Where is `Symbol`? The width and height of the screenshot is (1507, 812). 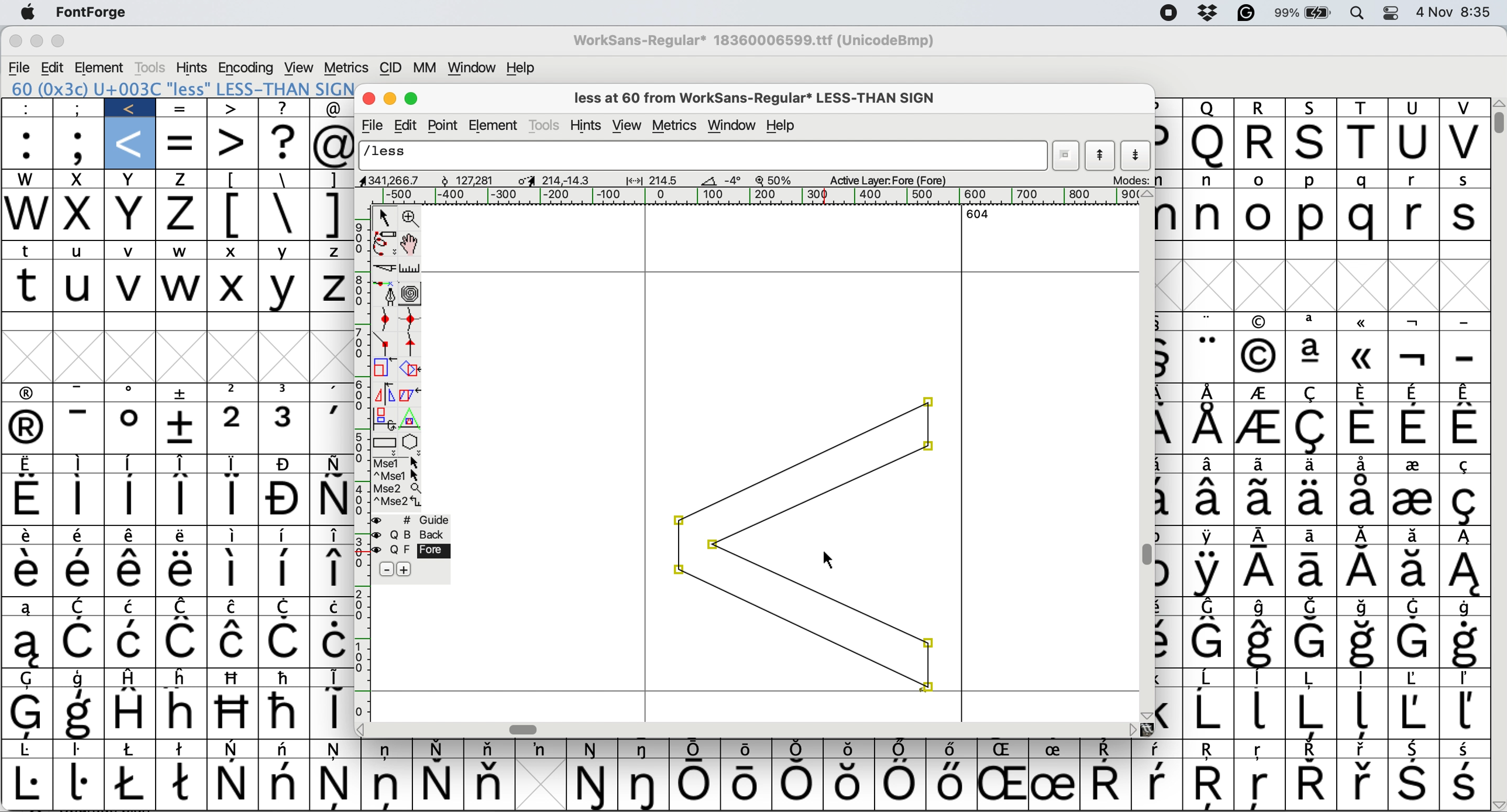
Symbol is located at coordinates (901, 783).